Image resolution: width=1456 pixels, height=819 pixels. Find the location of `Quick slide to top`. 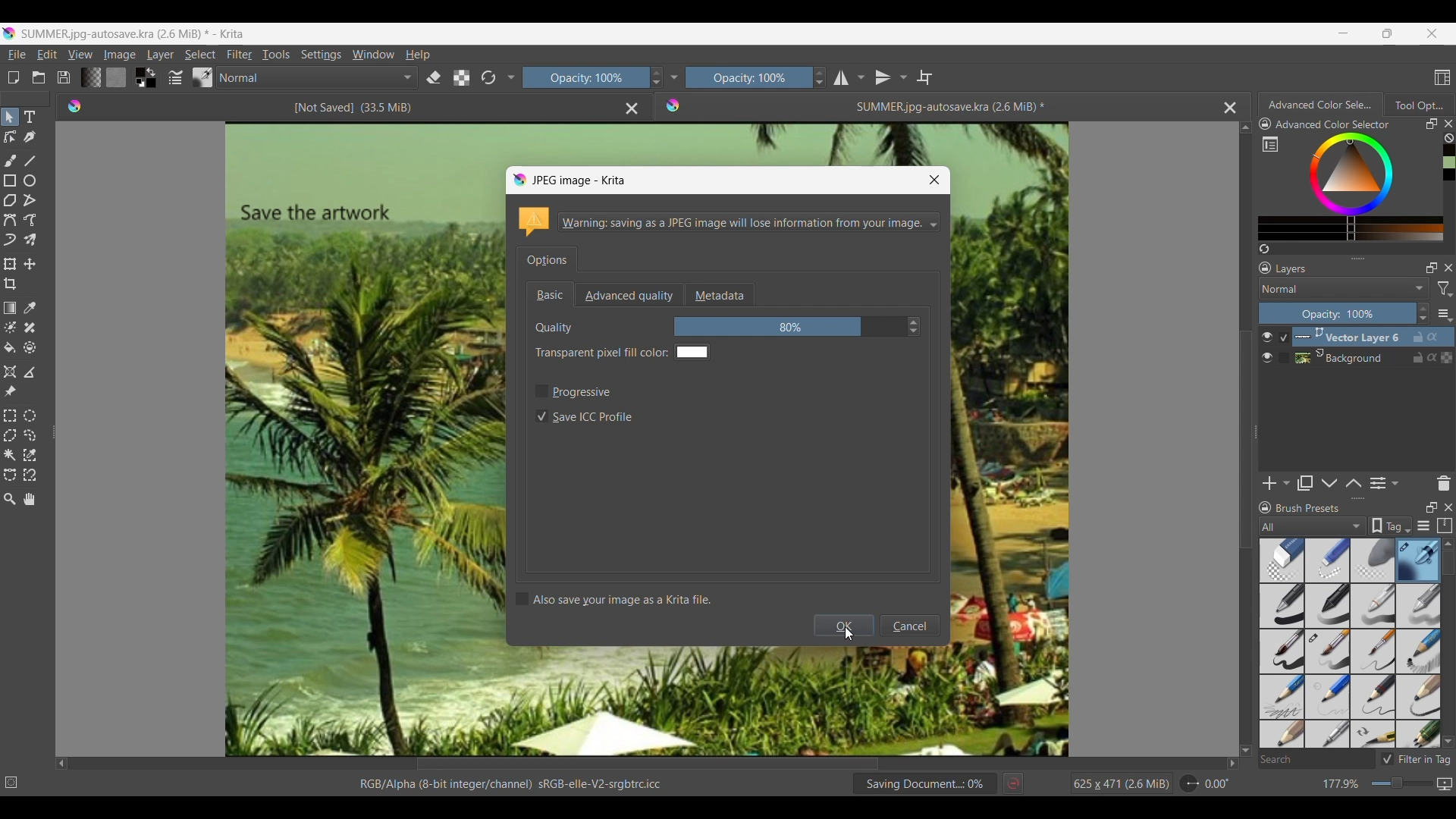

Quick slide to top is located at coordinates (1245, 127).